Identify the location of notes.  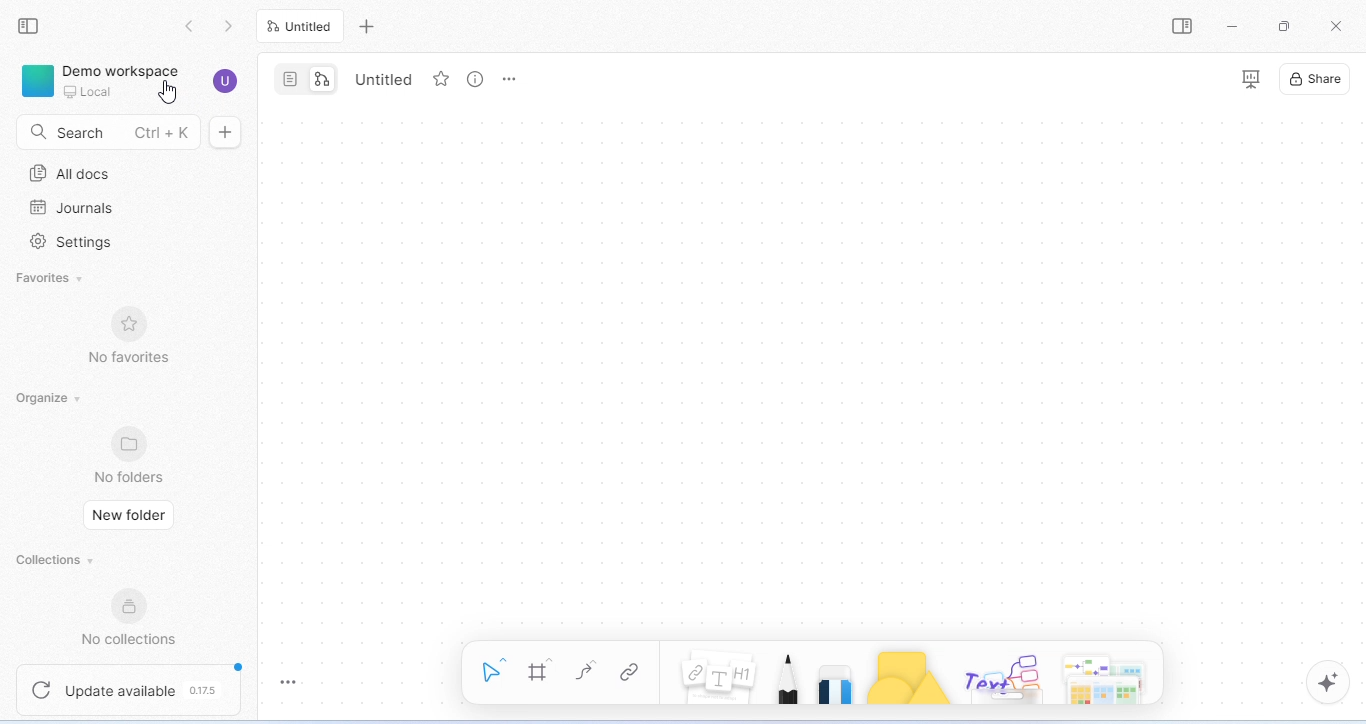
(719, 676).